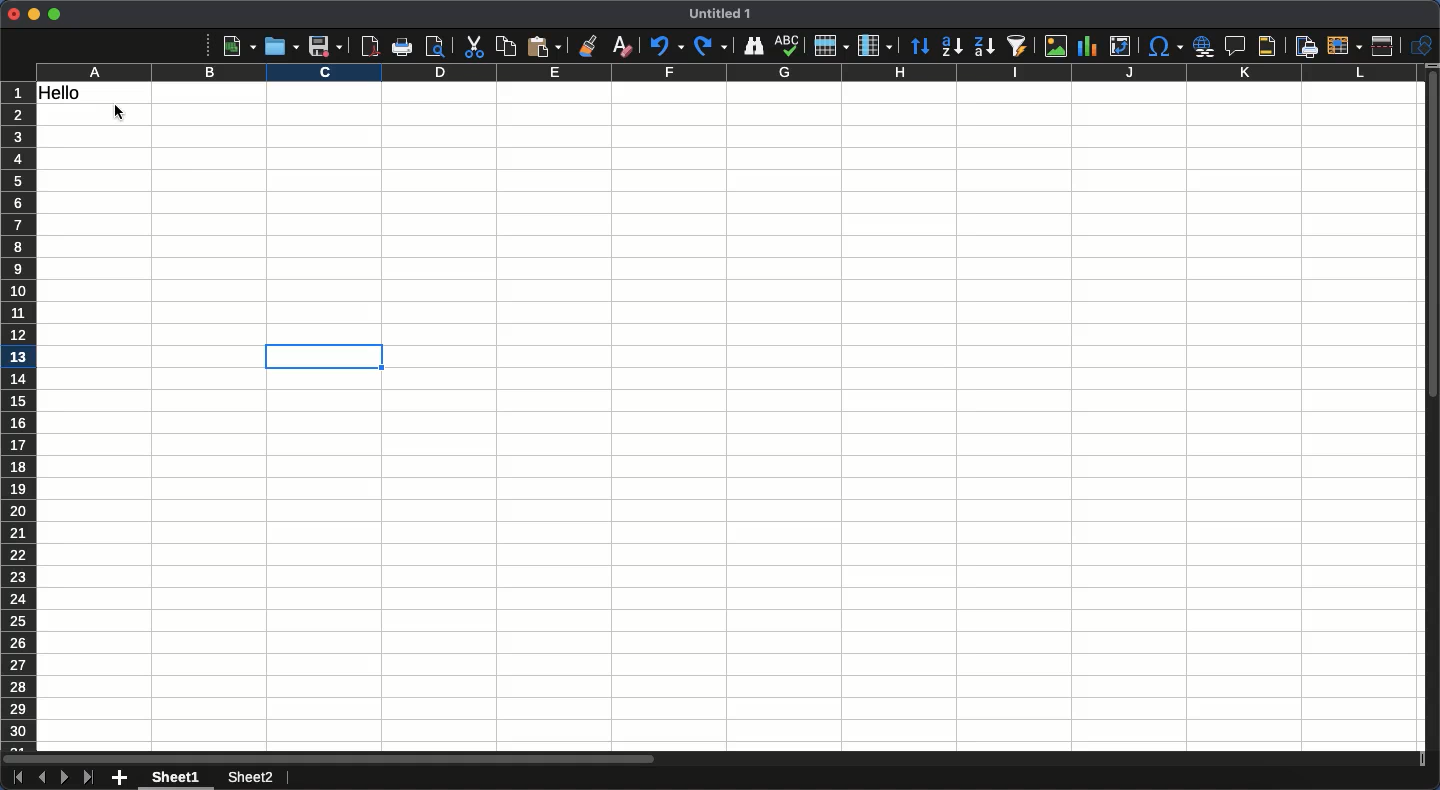 The width and height of the screenshot is (1440, 790). Describe the element at coordinates (279, 45) in the screenshot. I see `Open` at that location.